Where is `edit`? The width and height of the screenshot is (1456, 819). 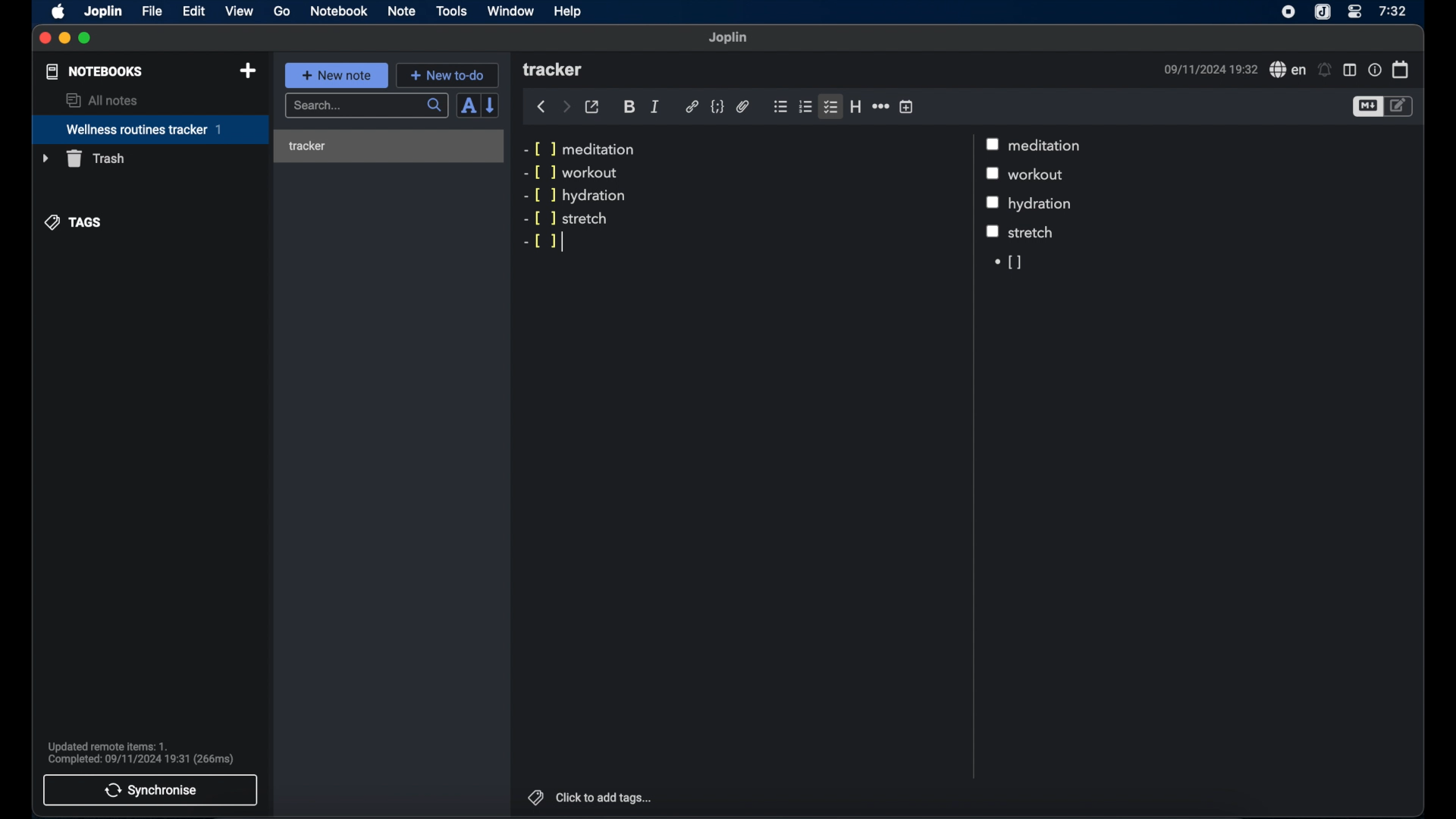 edit is located at coordinates (193, 11).